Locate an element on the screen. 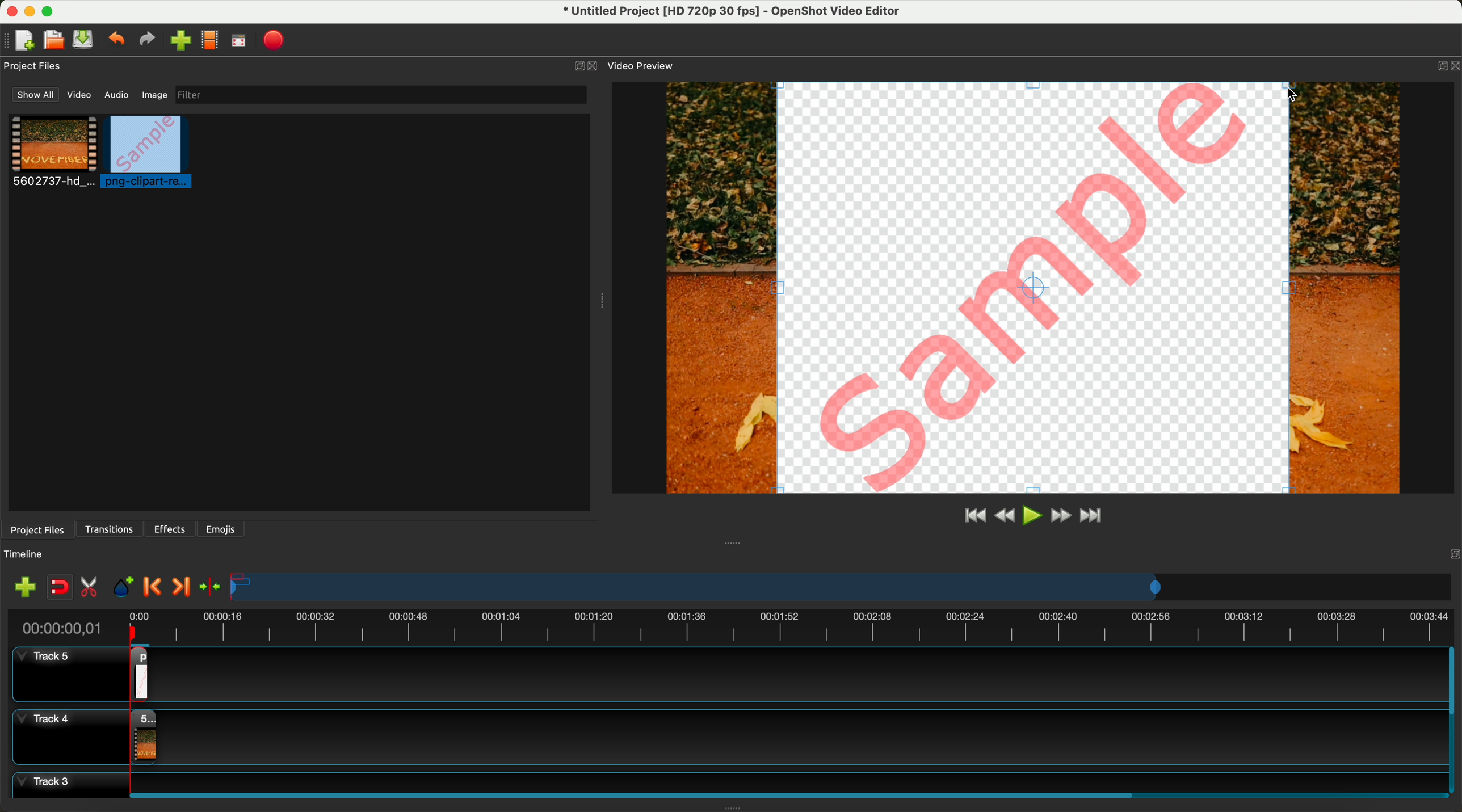  video is located at coordinates (81, 97).